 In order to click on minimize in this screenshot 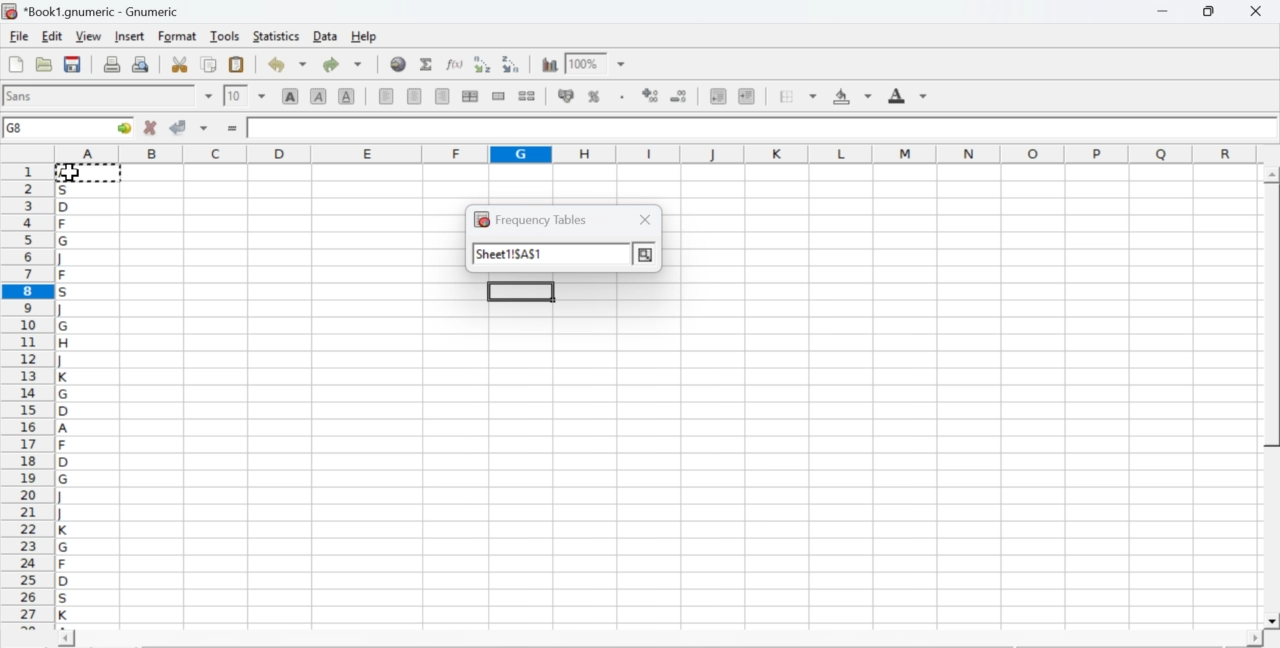, I will do `click(1164, 11)`.